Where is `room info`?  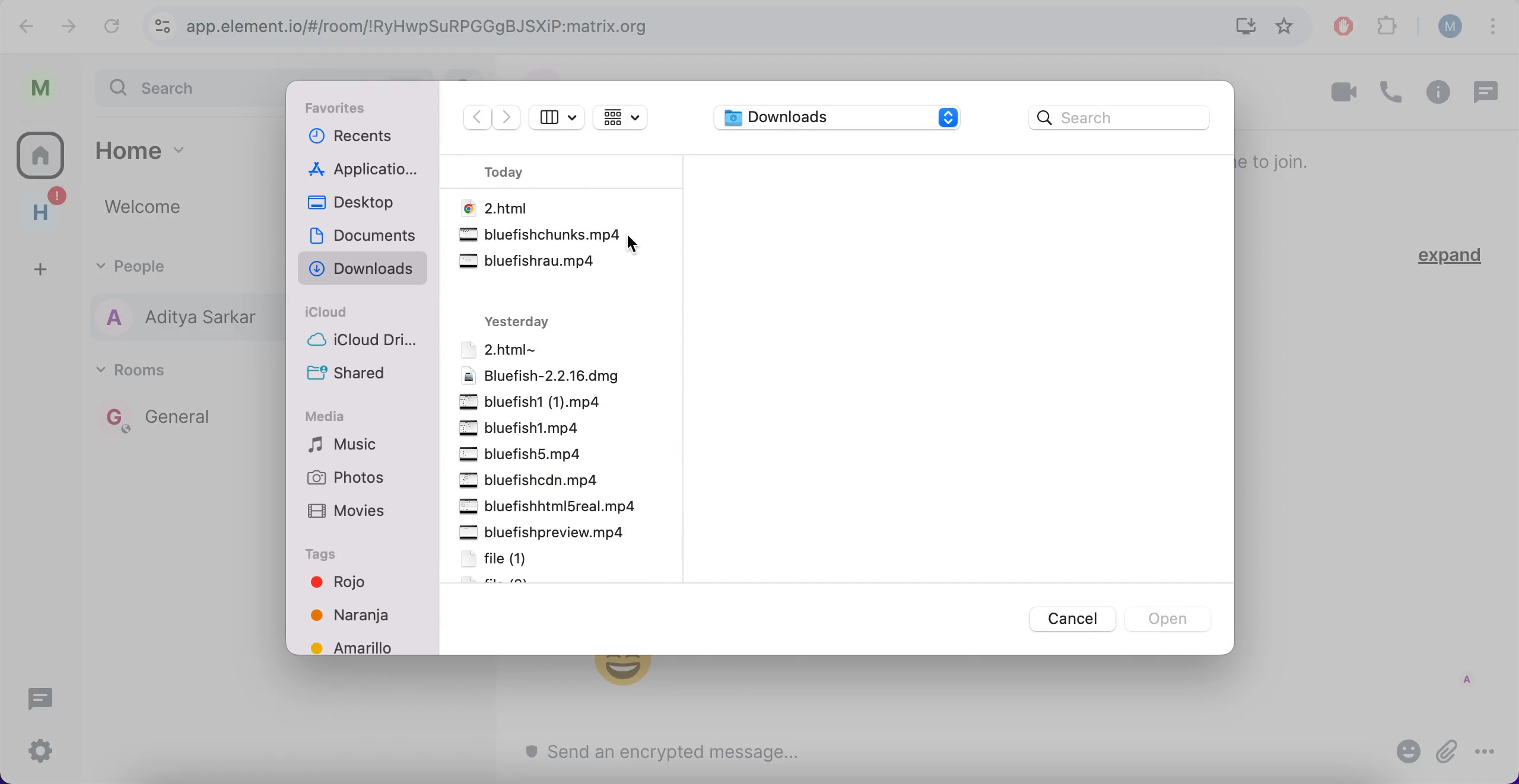 room info is located at coordinates (1435, 95).